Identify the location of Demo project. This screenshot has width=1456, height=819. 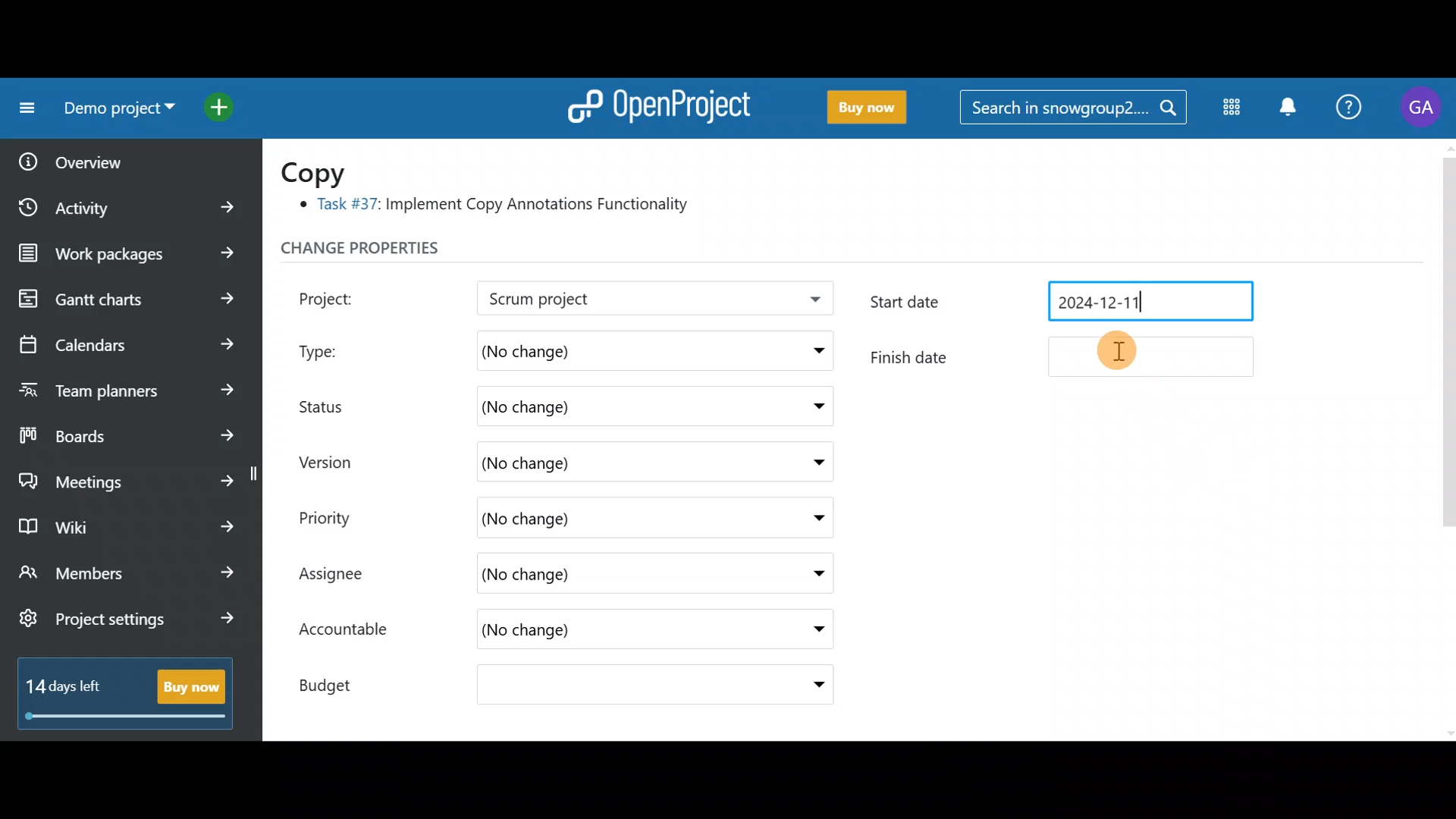
(114, 111).